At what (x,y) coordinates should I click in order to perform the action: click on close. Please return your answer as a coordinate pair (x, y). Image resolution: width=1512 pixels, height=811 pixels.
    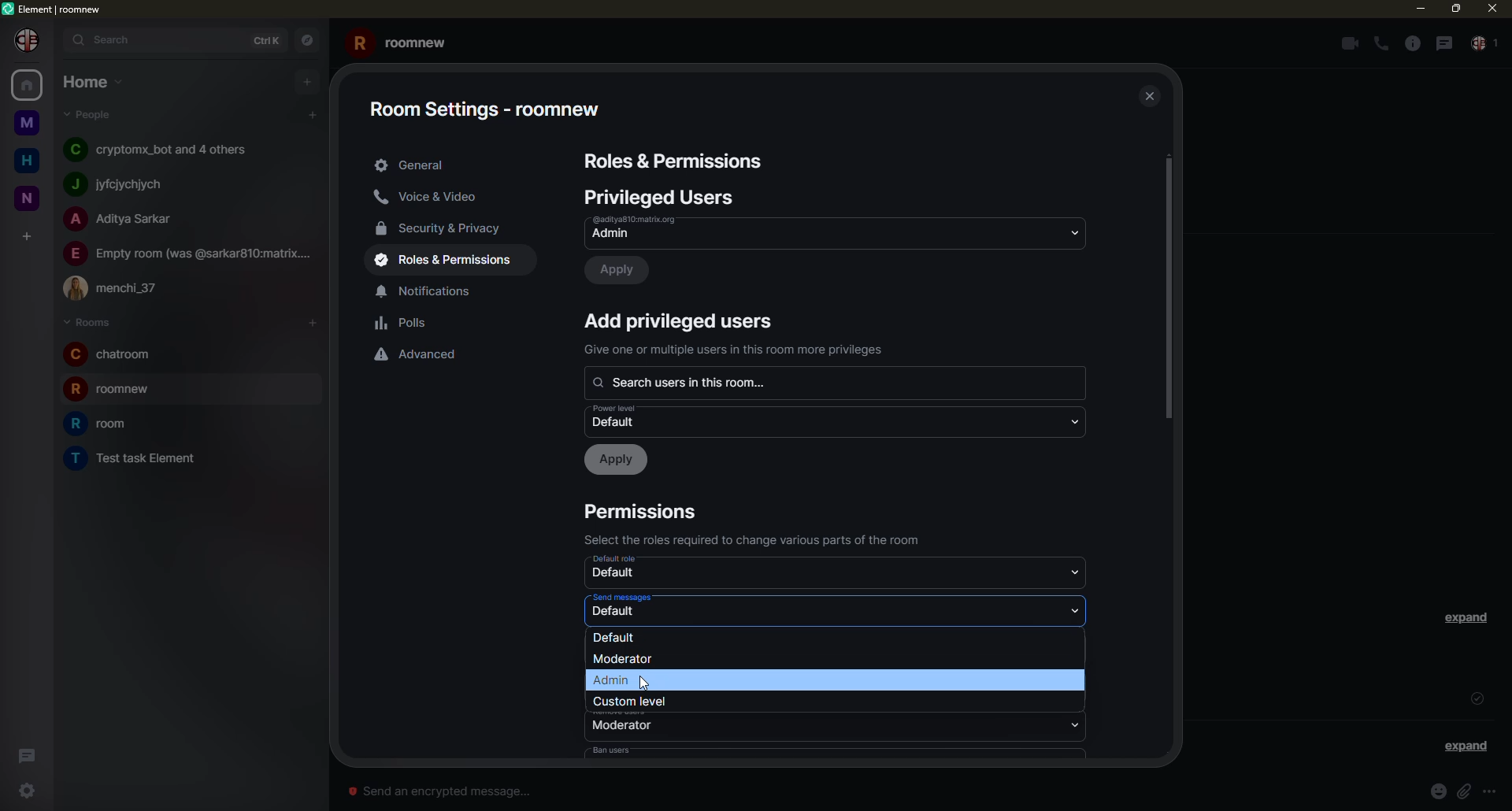
    Looking at the image, I should click on (1147, 94).